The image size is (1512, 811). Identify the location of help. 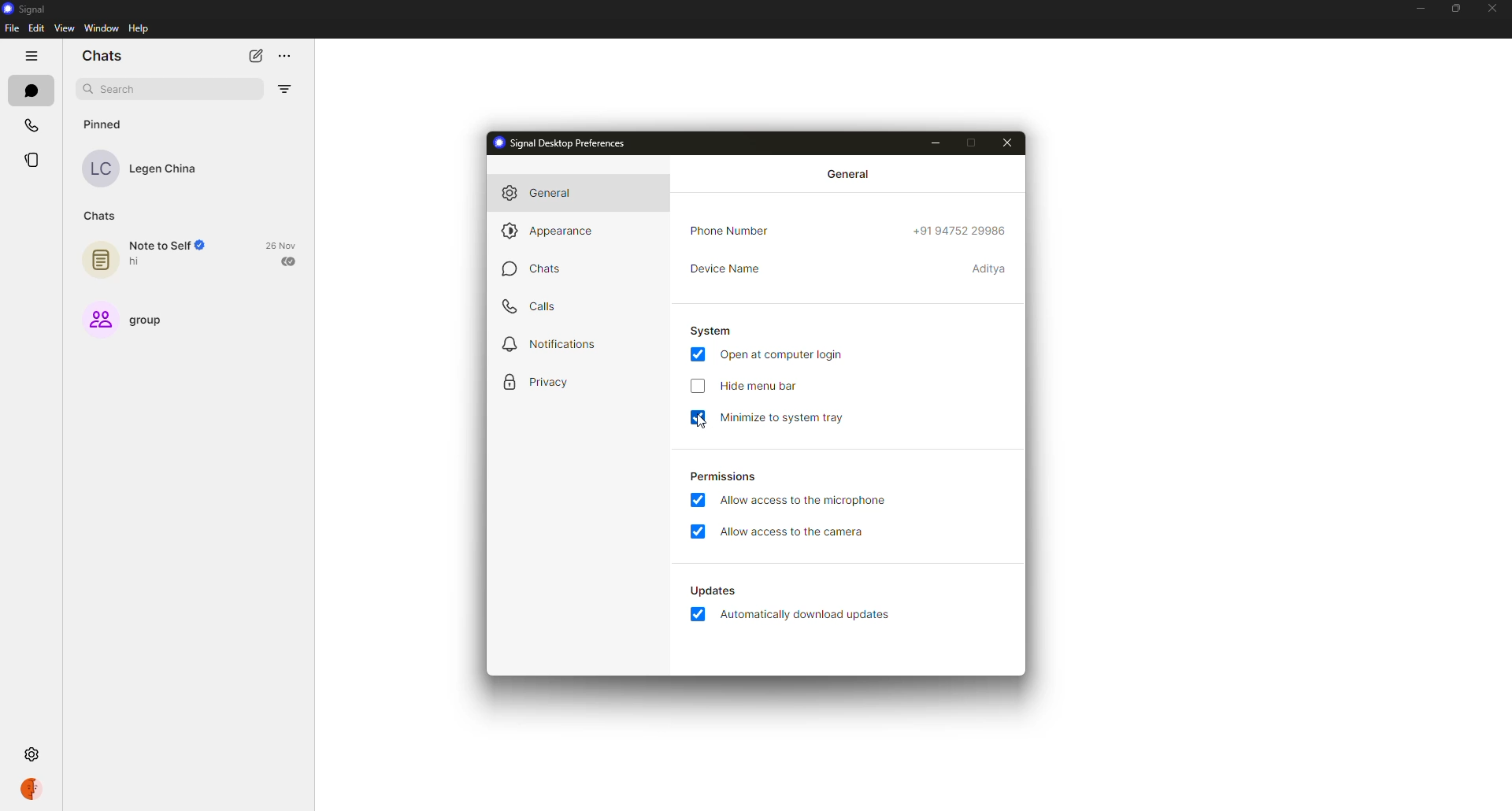
(139, 30).